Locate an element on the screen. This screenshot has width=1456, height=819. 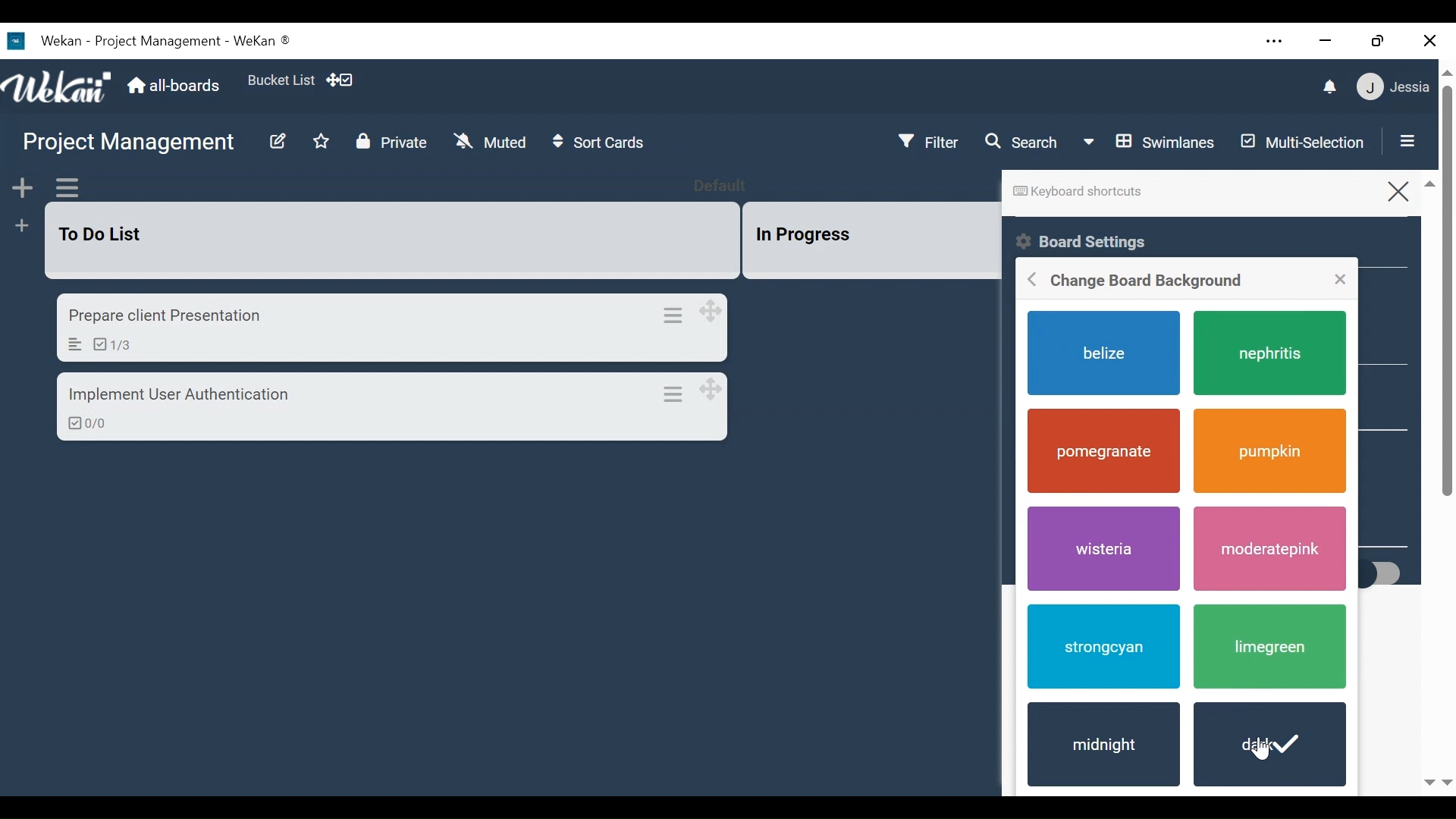
Toggle Favorite is located at coordinates (324, 141).